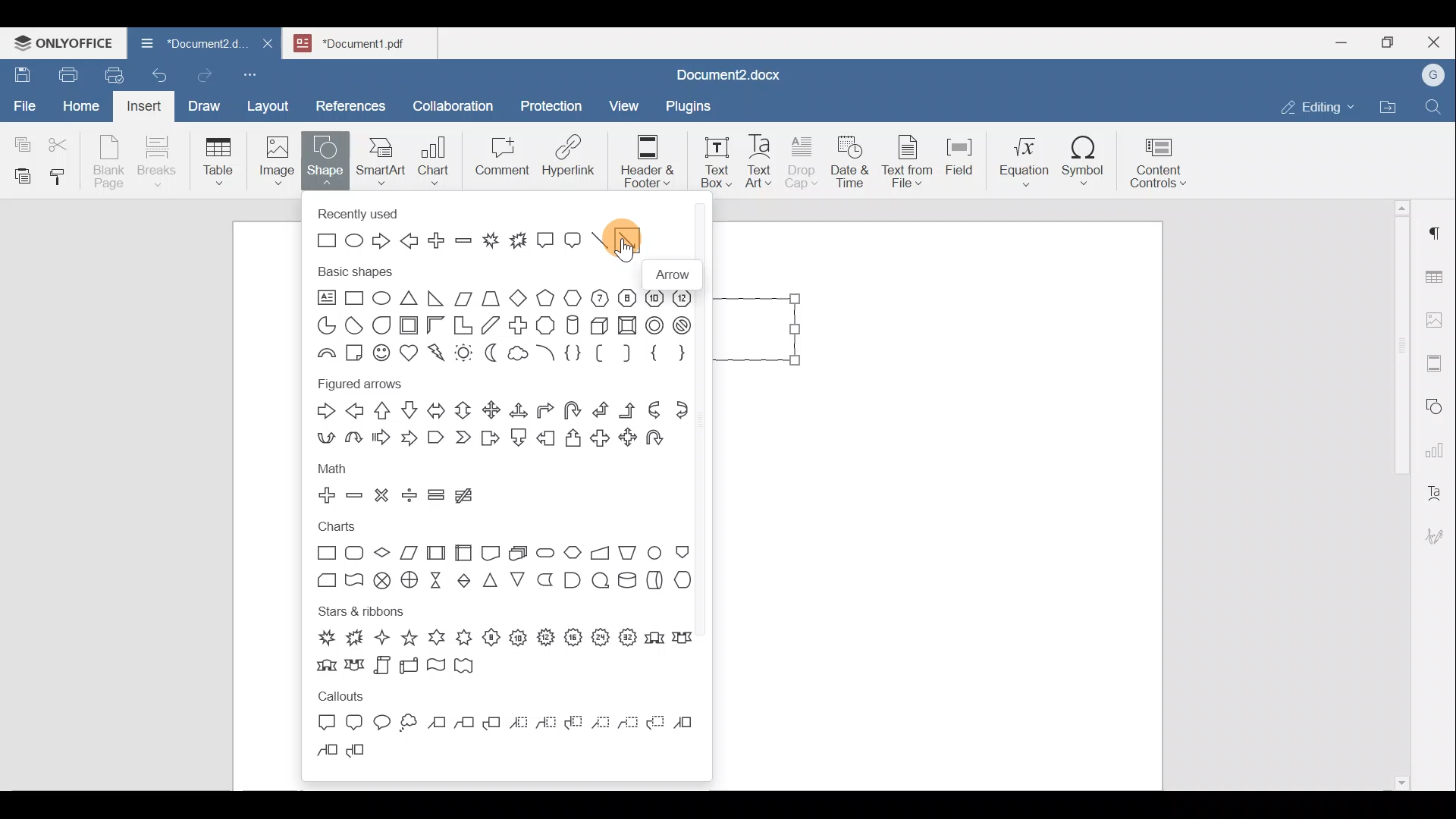  What do you see at coordinates (204, 76) in the screenshot?
I see `Redo` at bounding box center [204, 76].